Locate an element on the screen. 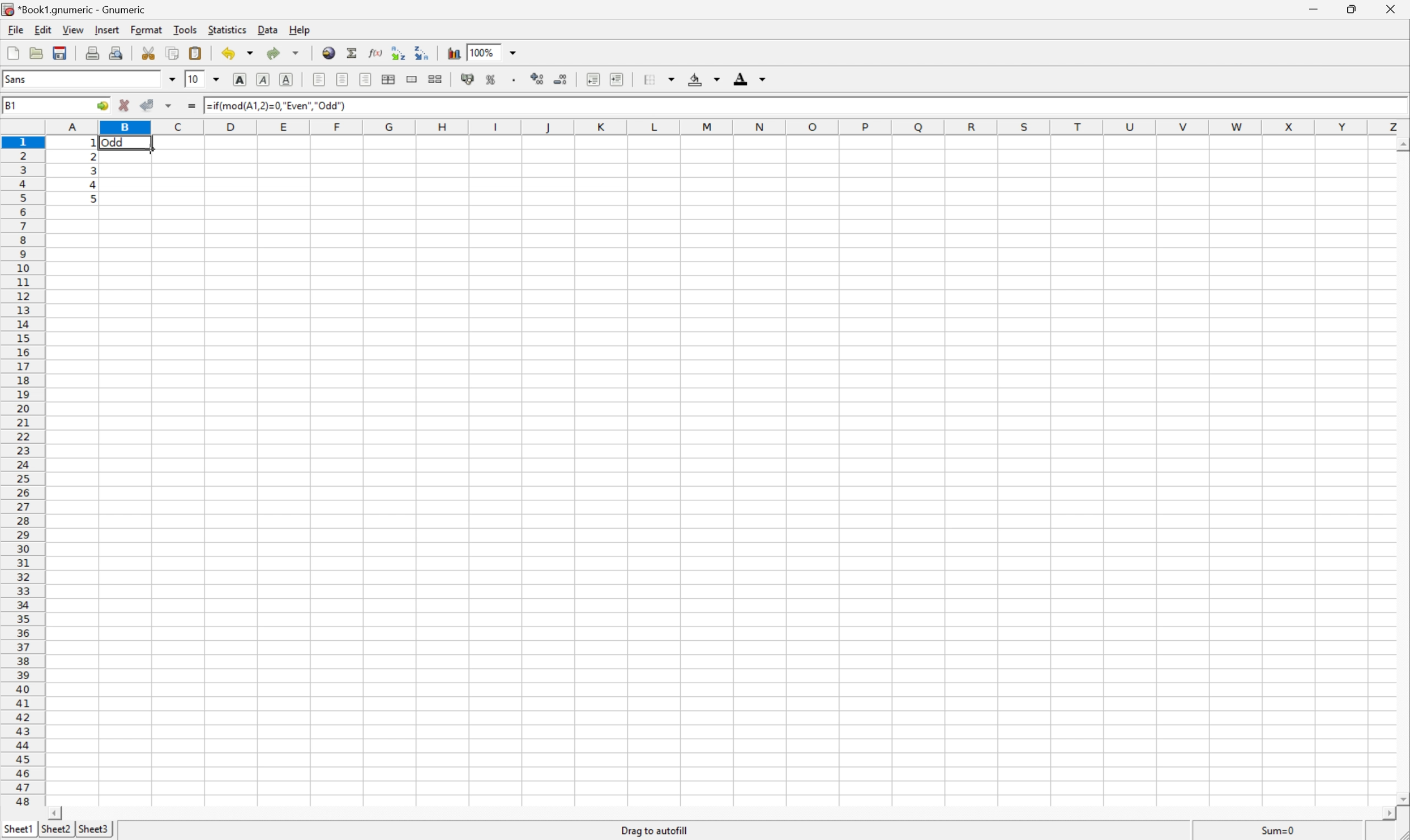 This screenshot has height=840, width=1410. Increase indent, and align the contents to the left is located at coordinates (617, 78).